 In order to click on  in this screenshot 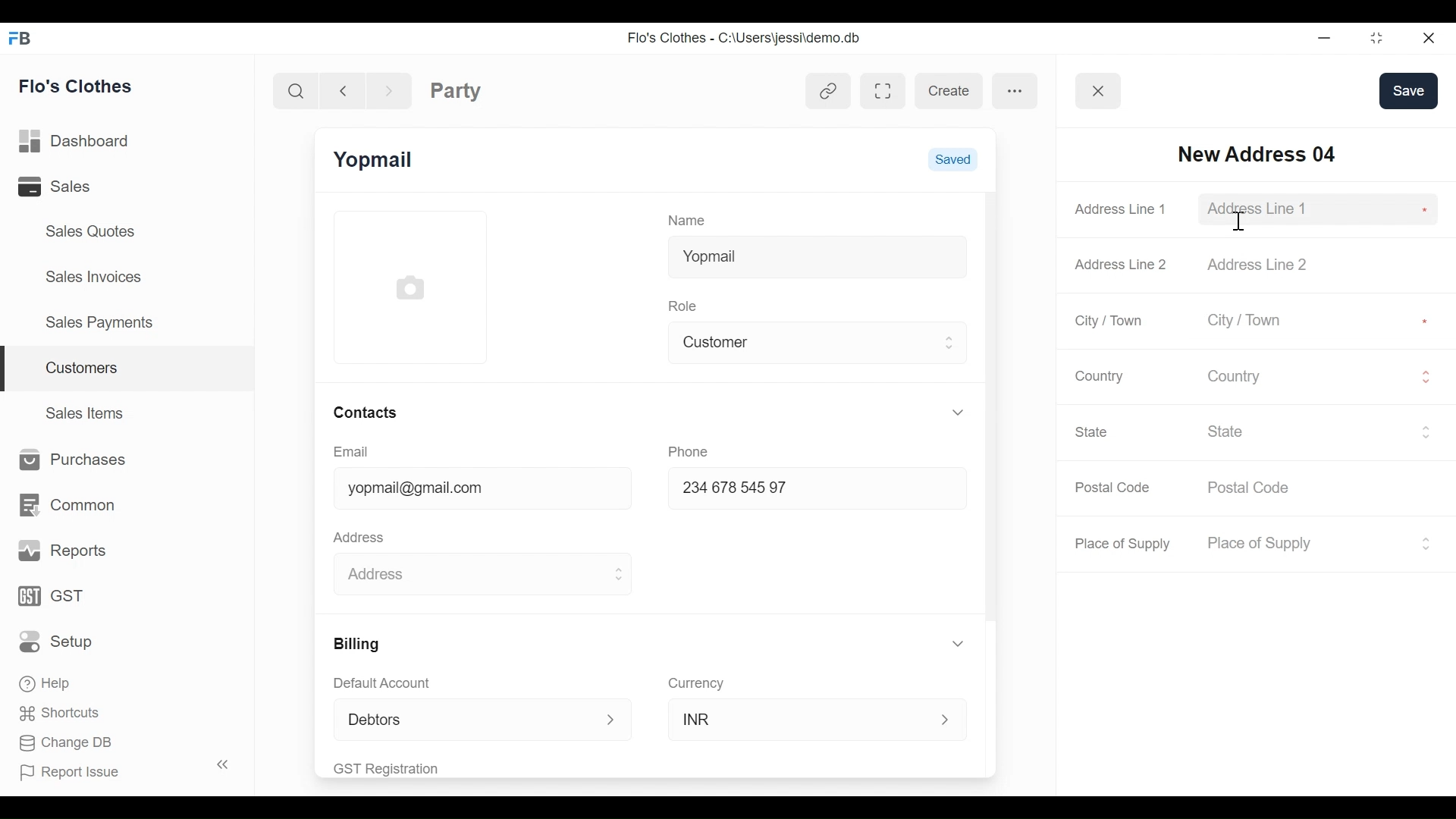, I will do `click(1099, 91)`.